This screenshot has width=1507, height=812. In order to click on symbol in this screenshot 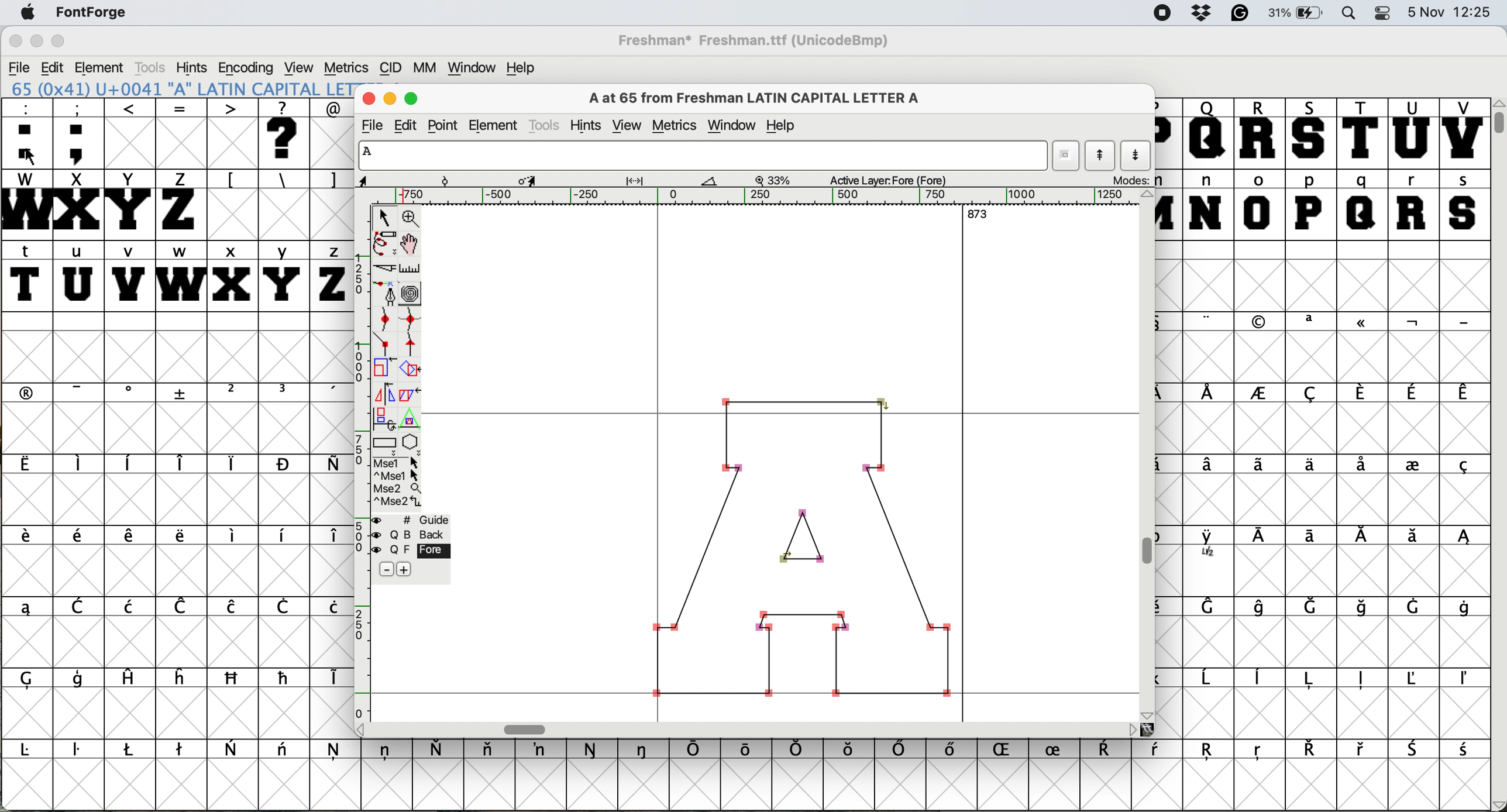, I will do `click(182, 606)`.